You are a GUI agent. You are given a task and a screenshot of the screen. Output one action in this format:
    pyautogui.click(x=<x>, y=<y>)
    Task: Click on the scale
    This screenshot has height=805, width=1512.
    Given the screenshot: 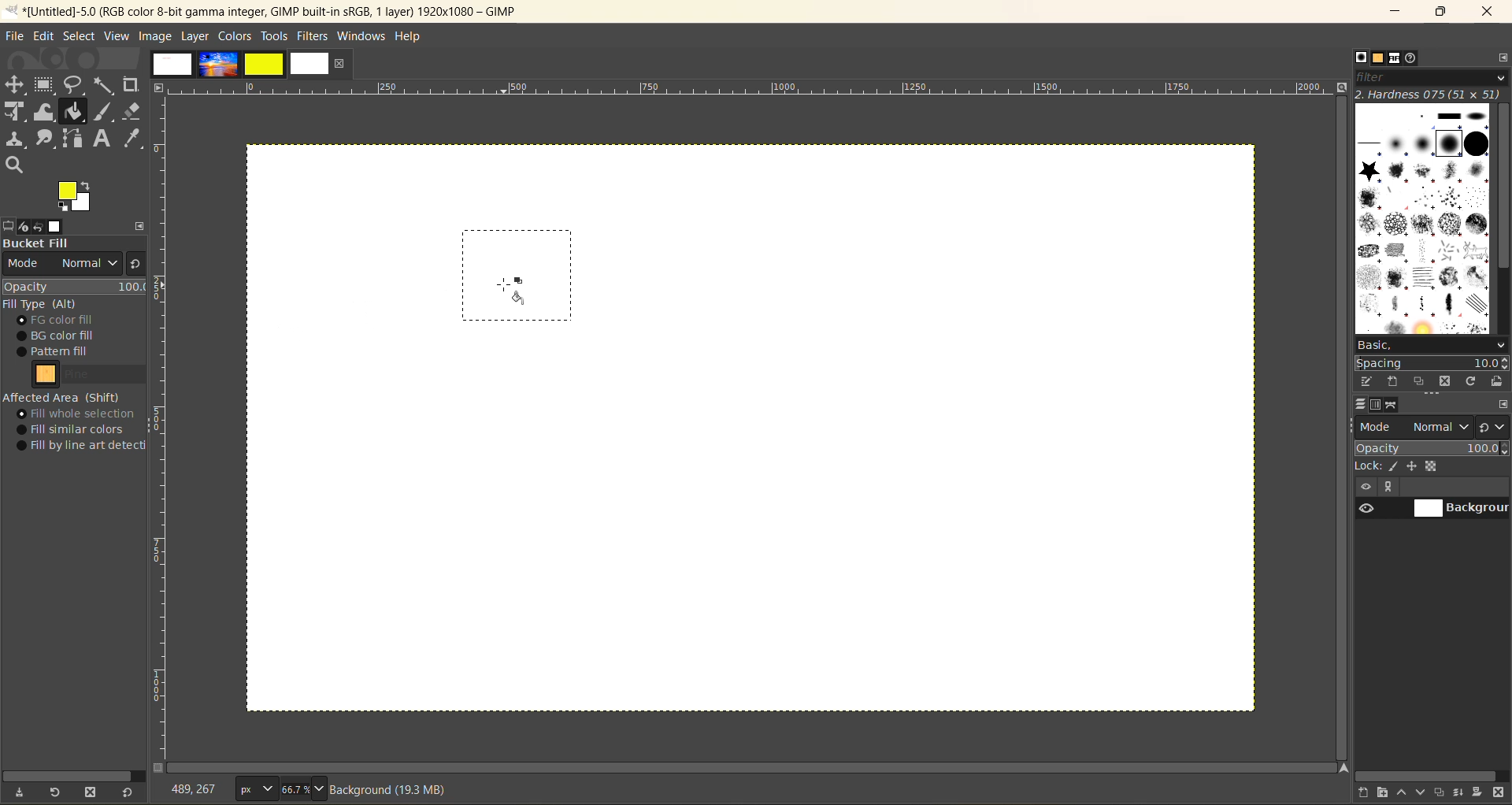 What is the action you would take?
    pyautogui.click(x=163, y=430)
    